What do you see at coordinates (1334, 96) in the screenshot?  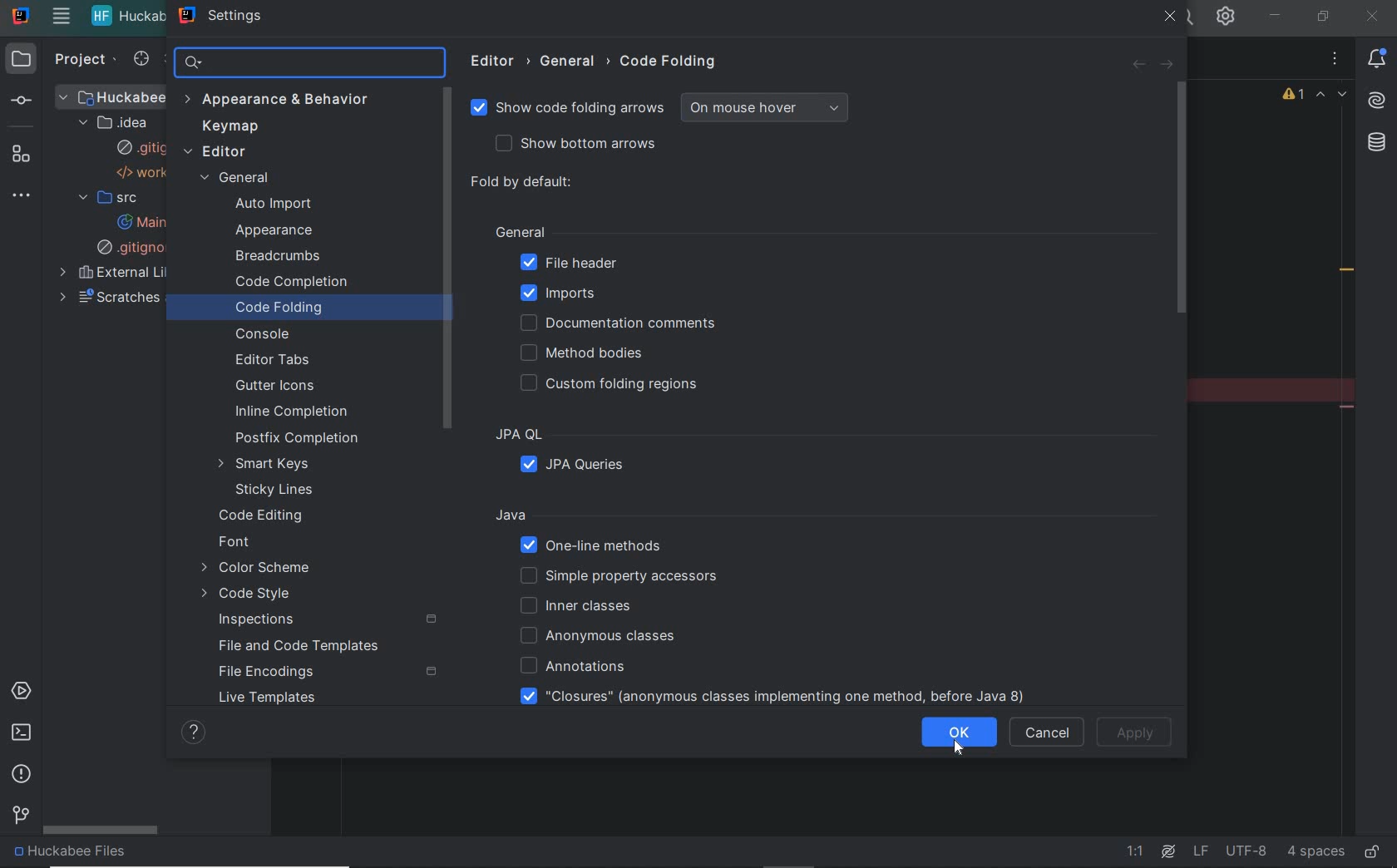 I see `previous and next warnings` at bounding box center [1334, 96].